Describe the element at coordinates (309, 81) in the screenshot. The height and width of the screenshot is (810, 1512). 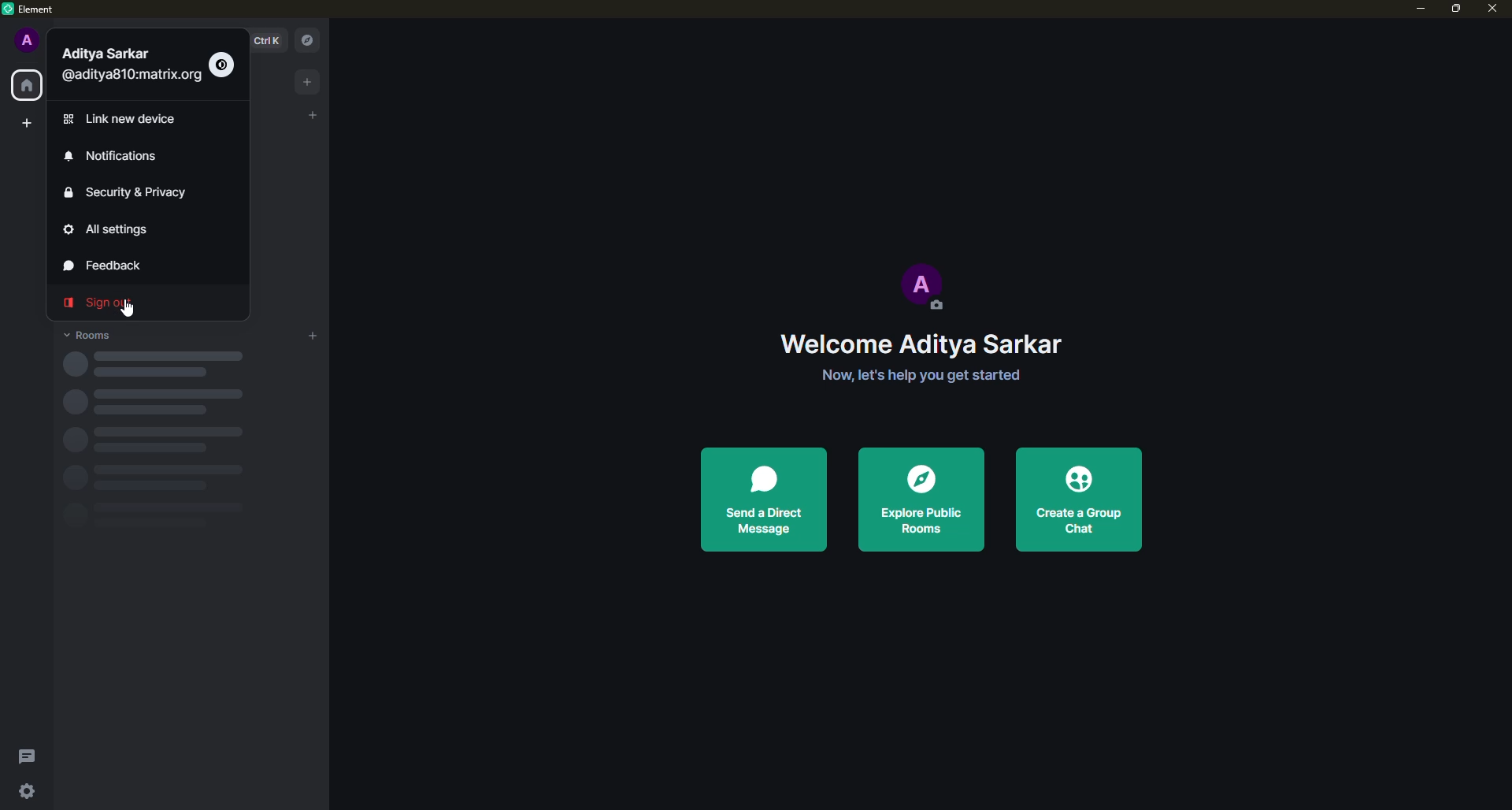
I see `add` at that location.